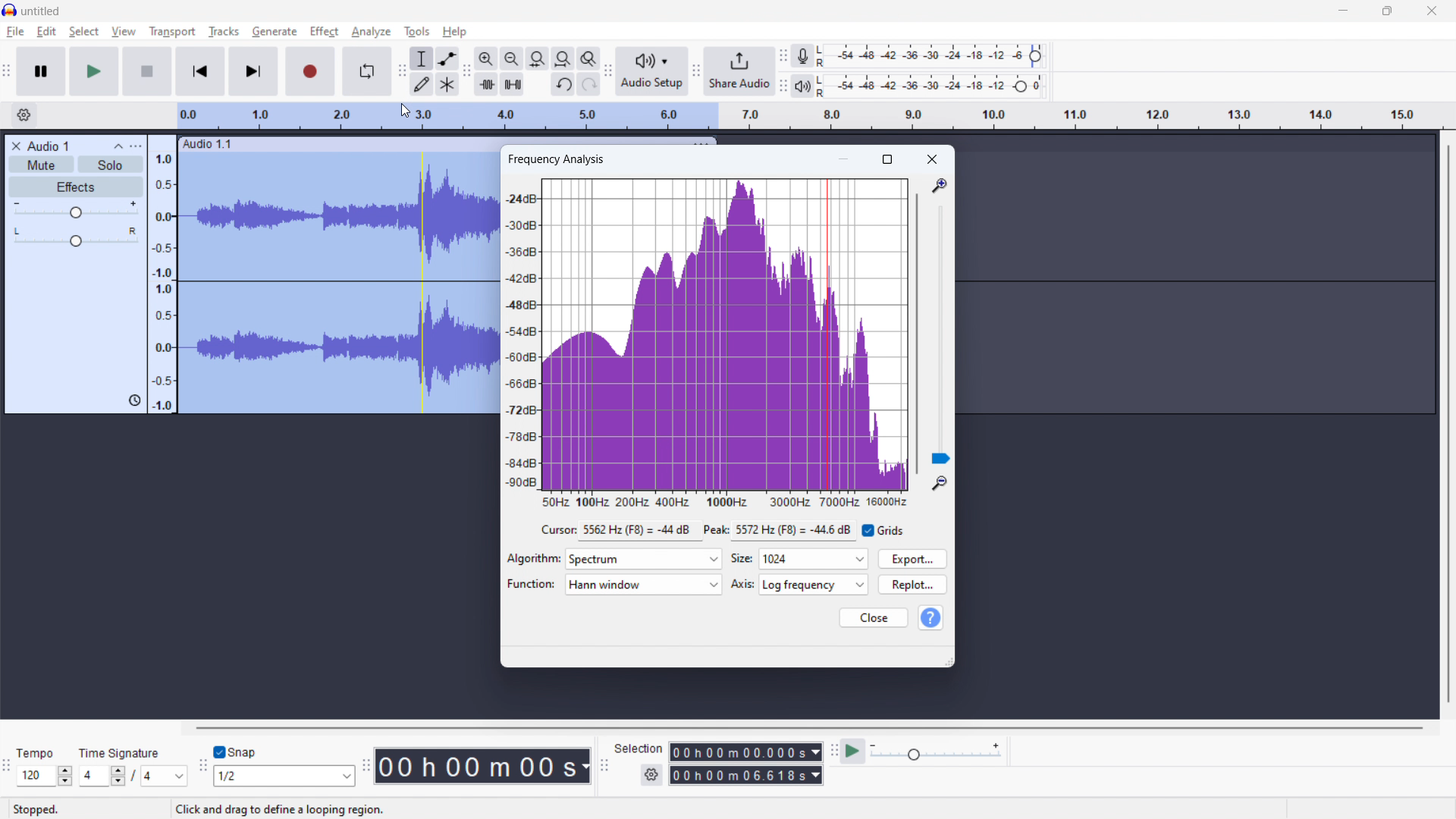 Image resolution: width=1456 pixels, height=819 pixels. Describe the element at coordinates (133, 776) in the screenshot. I see `set time signature` at that location.